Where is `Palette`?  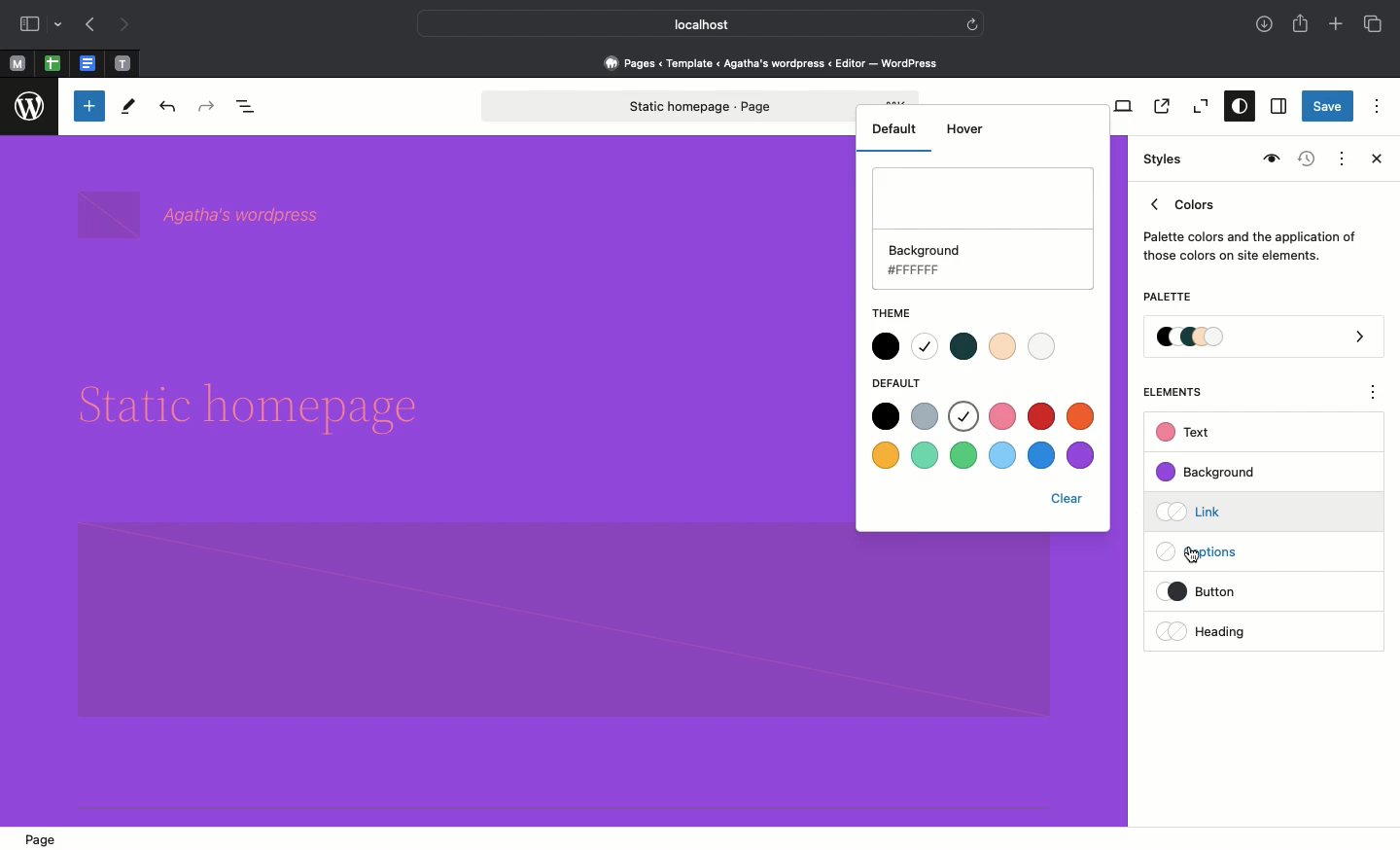
Palette is located at coordinates (1167, 299).